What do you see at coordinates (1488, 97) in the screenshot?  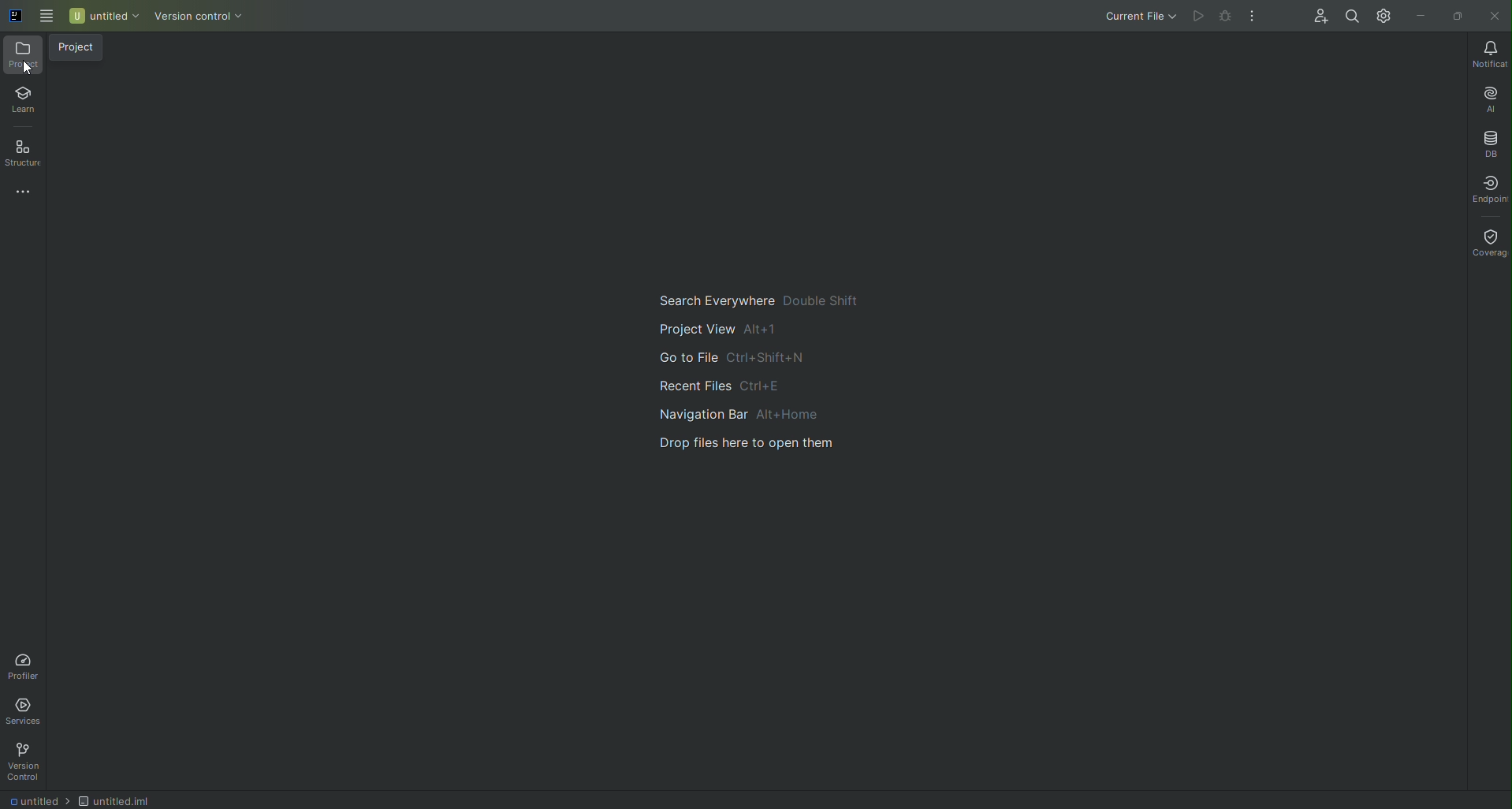 I see `AI Assistant` at bounding box center [1488, 97].